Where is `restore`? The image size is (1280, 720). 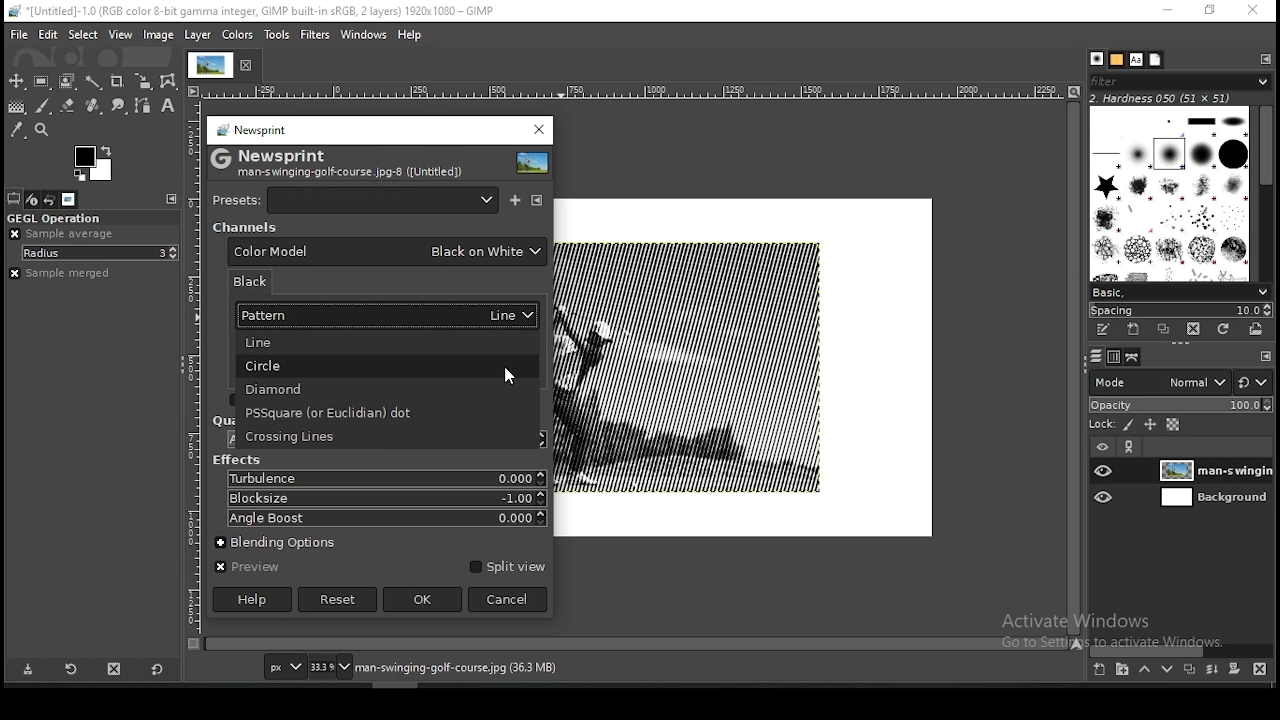
restore is located at coordinates (1212, 11).